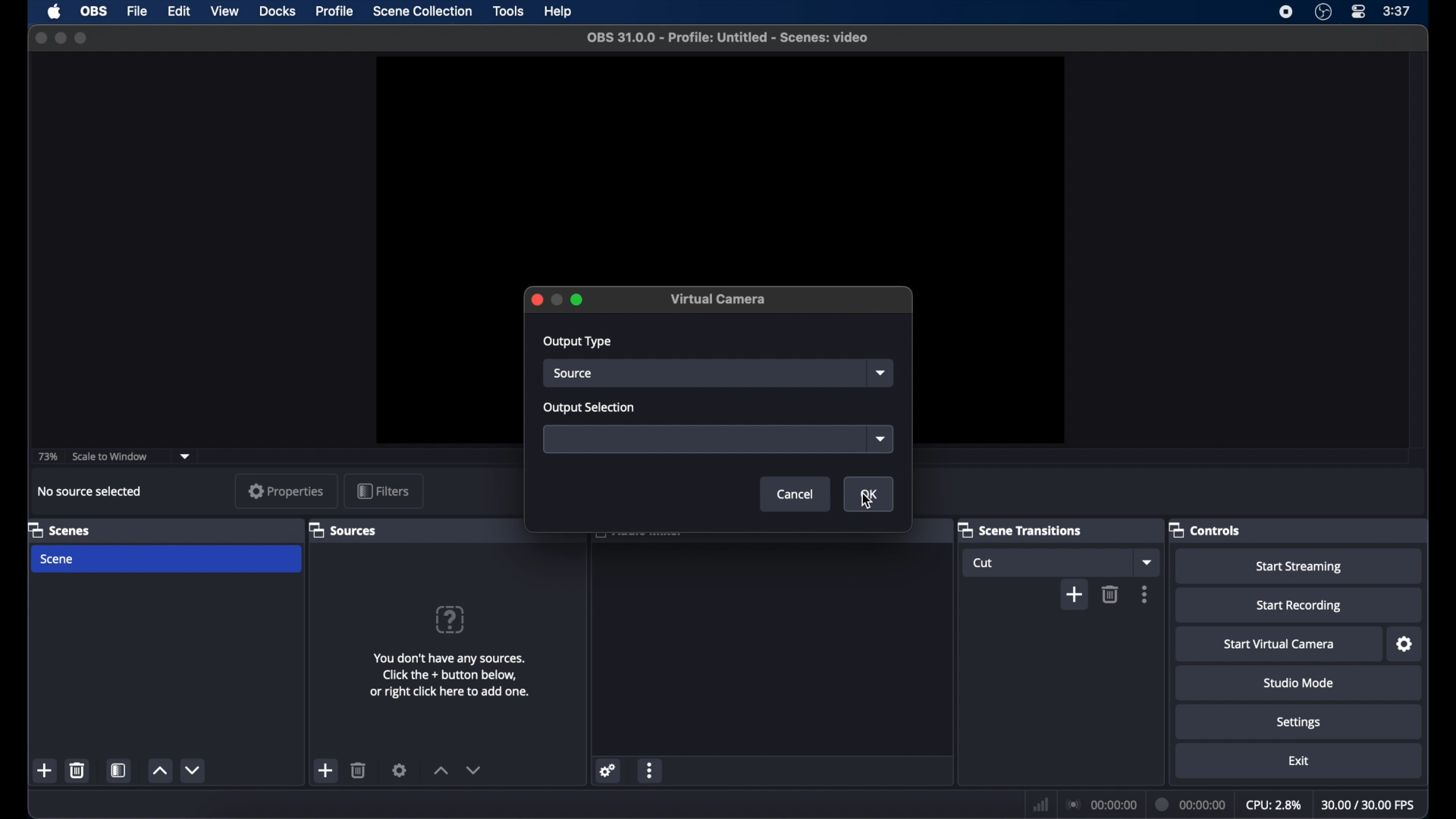  What do you see at coordinates (866, 502) in the screenshot?
I see `cursor` at bounding box center [866, 502].